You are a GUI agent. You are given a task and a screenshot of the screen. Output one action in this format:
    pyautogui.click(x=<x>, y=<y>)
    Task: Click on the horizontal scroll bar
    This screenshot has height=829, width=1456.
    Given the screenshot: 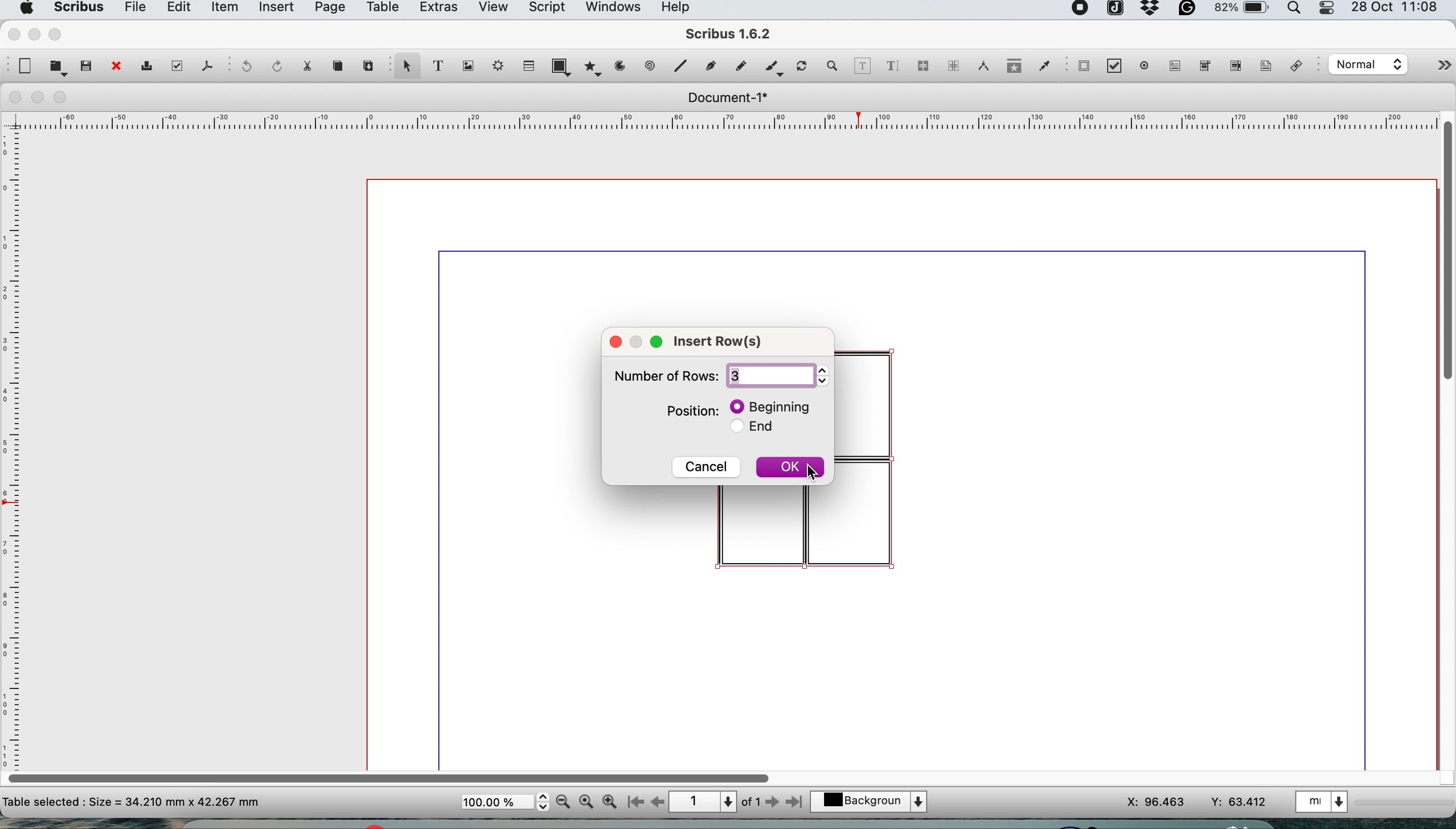 What is the action you would take?
    pyautogui.click(x=392, y=774)
    